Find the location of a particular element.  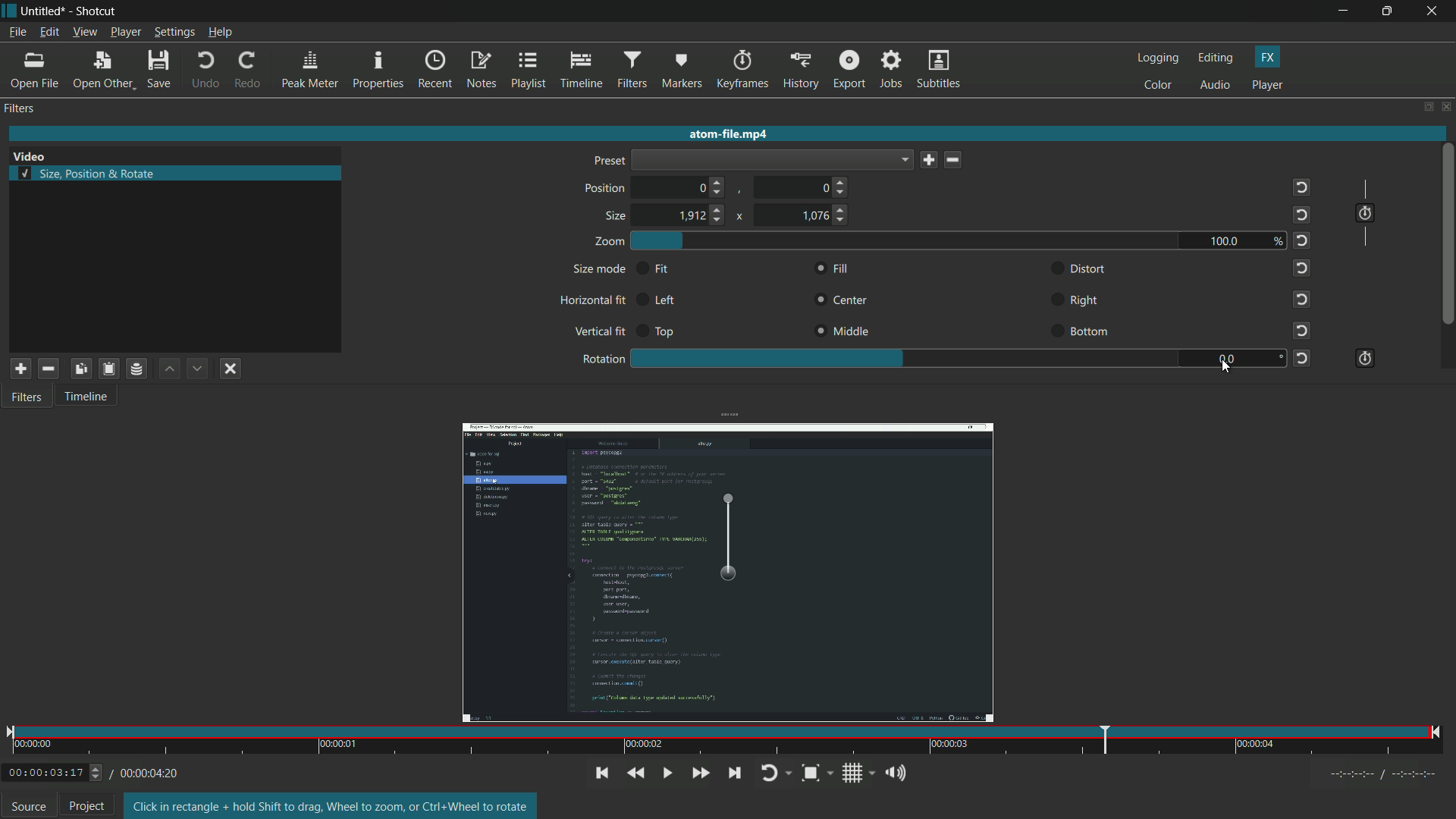

fill is located at coordinates (831, 270).